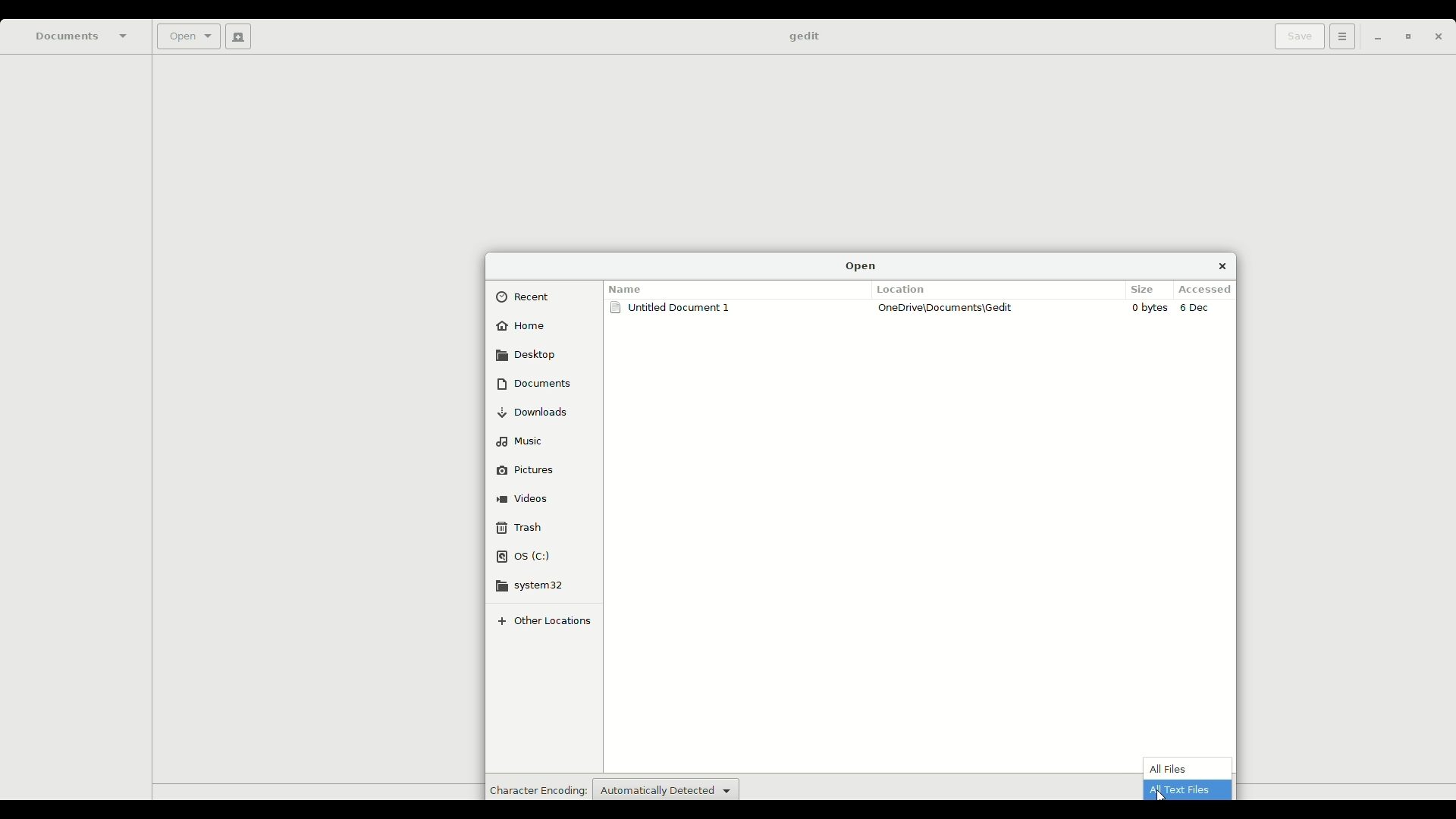  Describe the element at coordinates (803, 37) in the screenshot. I see `gedit` at that location.